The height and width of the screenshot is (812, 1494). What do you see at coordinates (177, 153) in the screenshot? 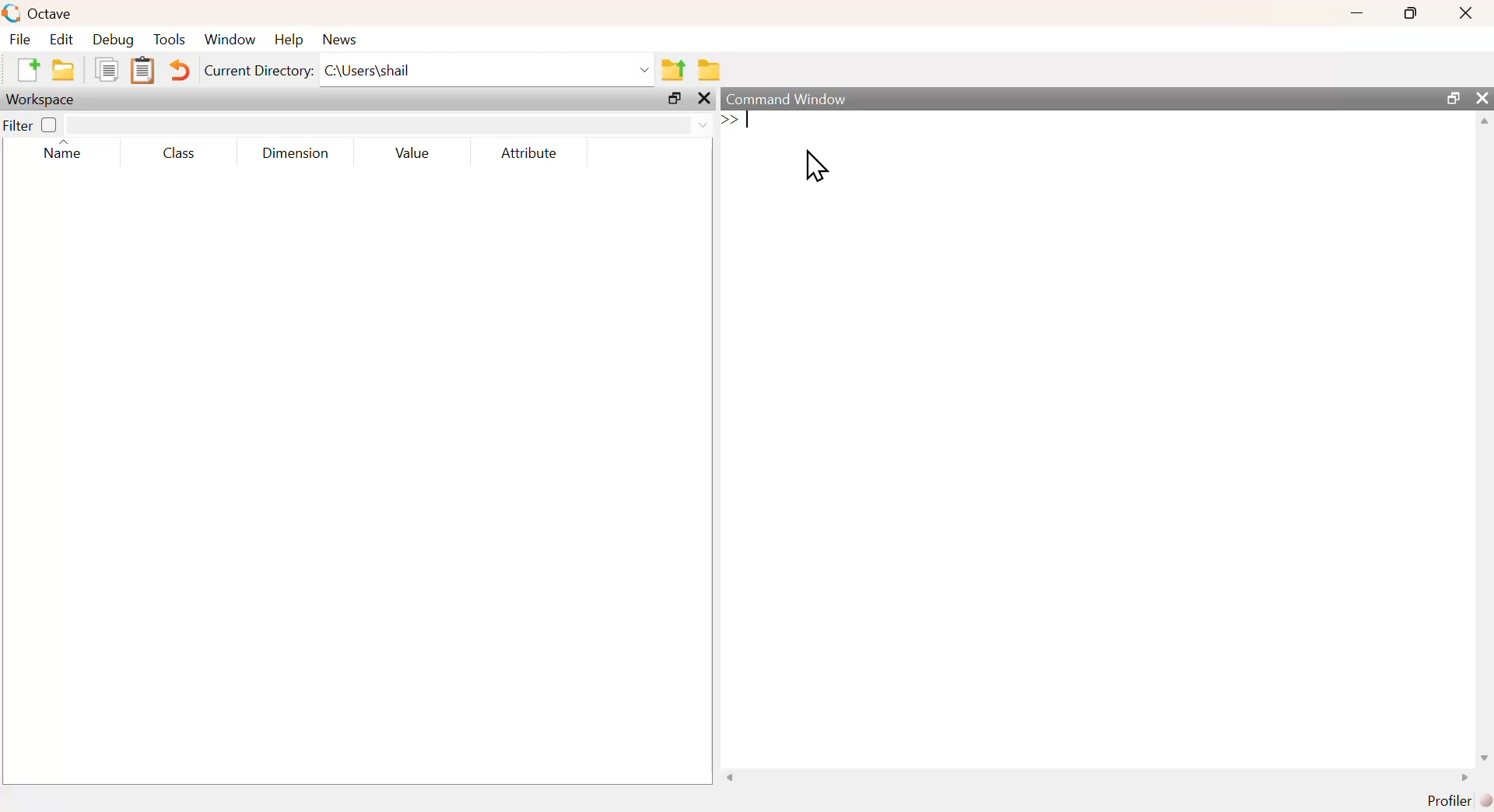
I see `class` at bounding box center [177, 153].